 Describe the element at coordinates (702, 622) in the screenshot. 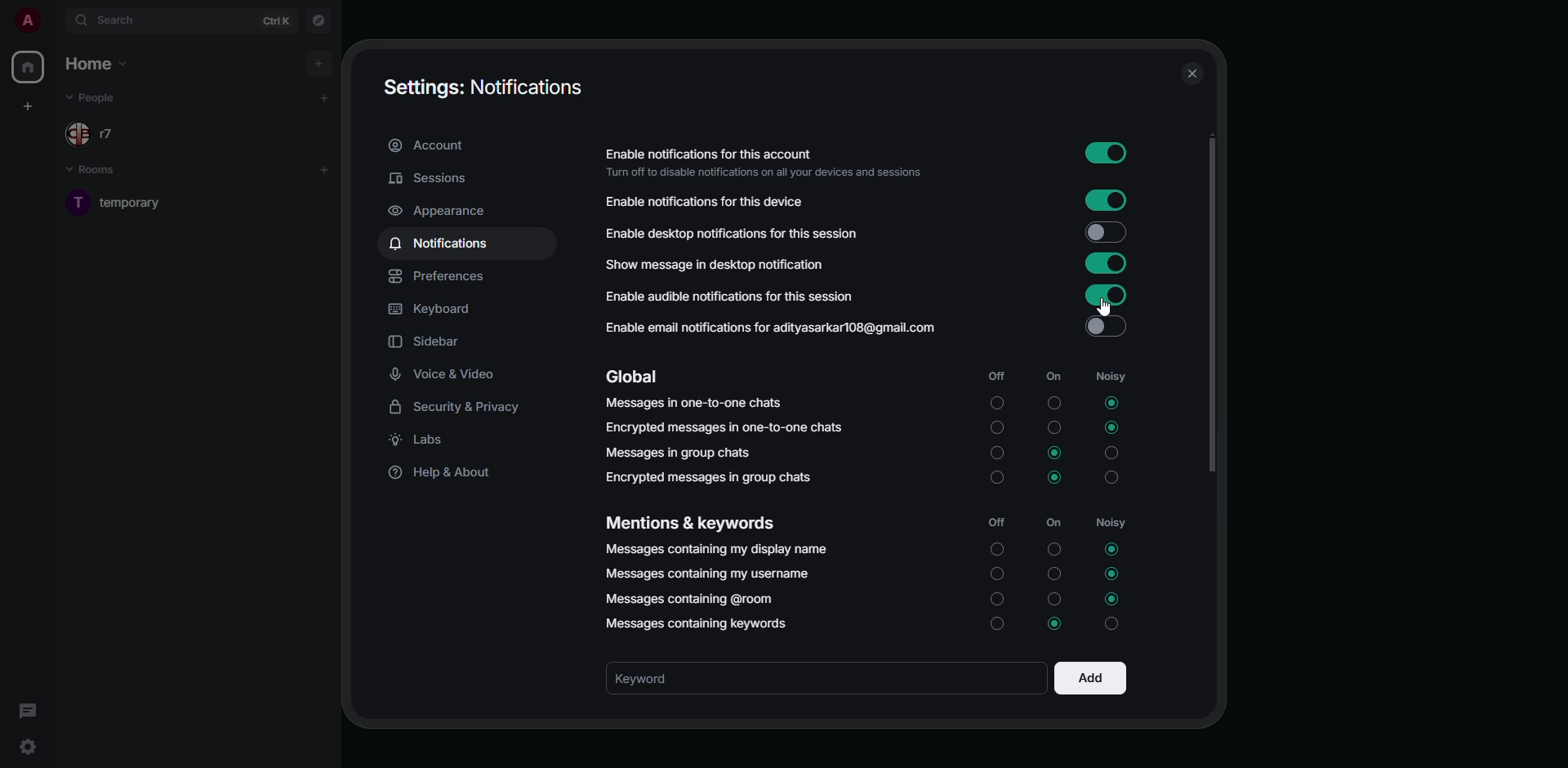

I see `messages containing keywords` at that location.